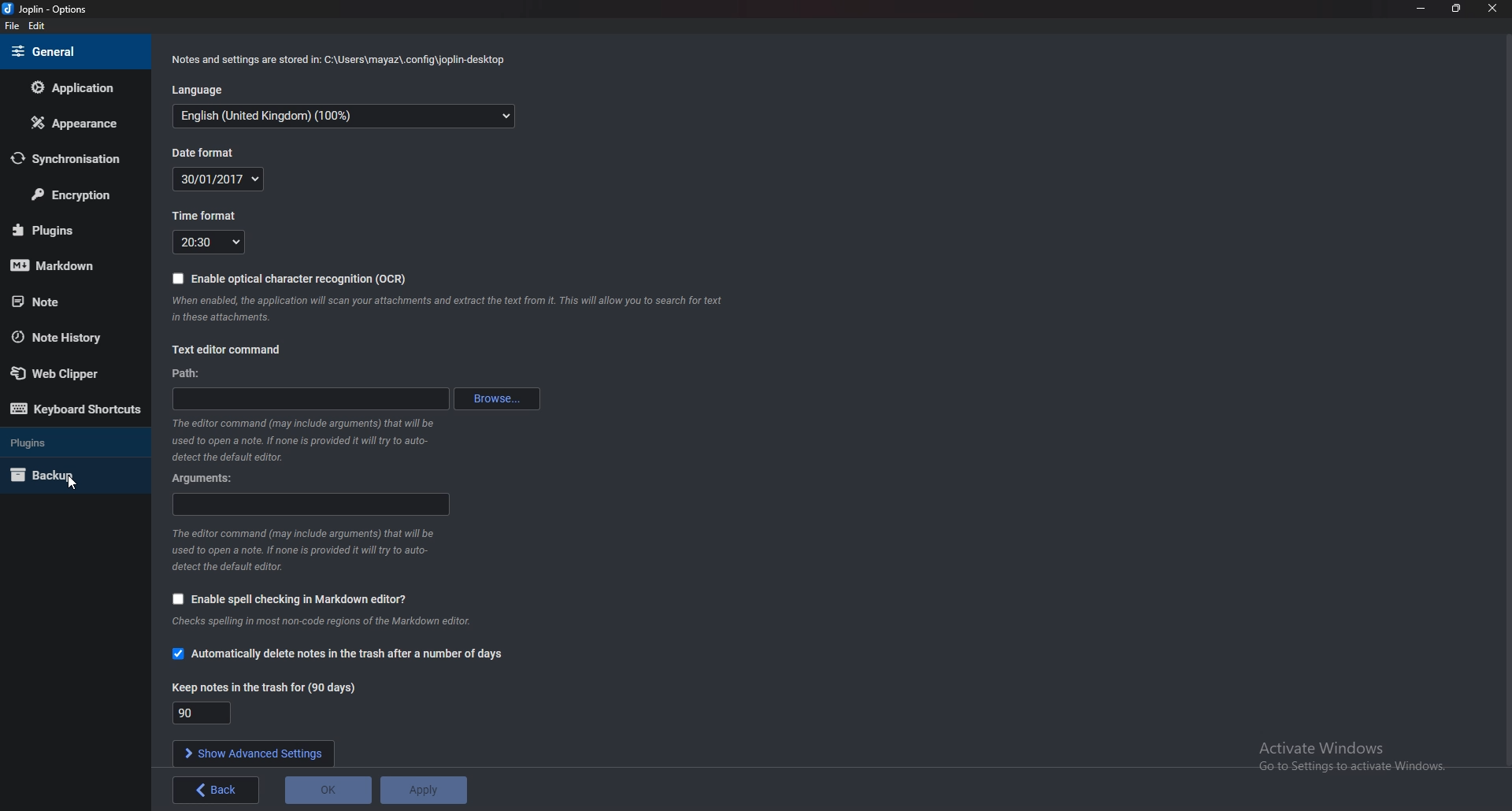  What do you see at coordinates (269, 687) in the screenshot?
I see `Keep notes in trash for` at bounding box center [269, 687].